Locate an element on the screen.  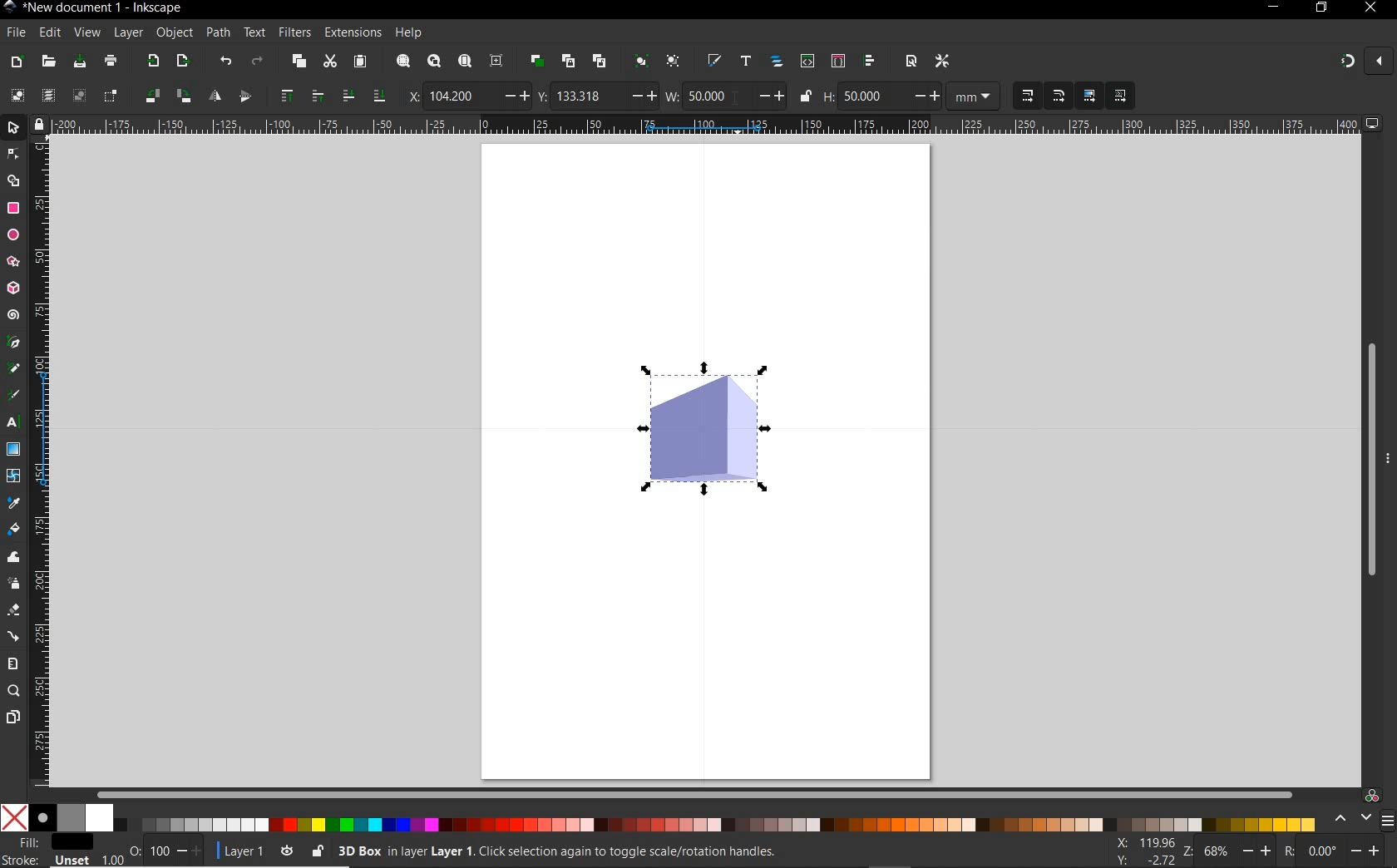
raise selection is located at coordinates (315, 96).